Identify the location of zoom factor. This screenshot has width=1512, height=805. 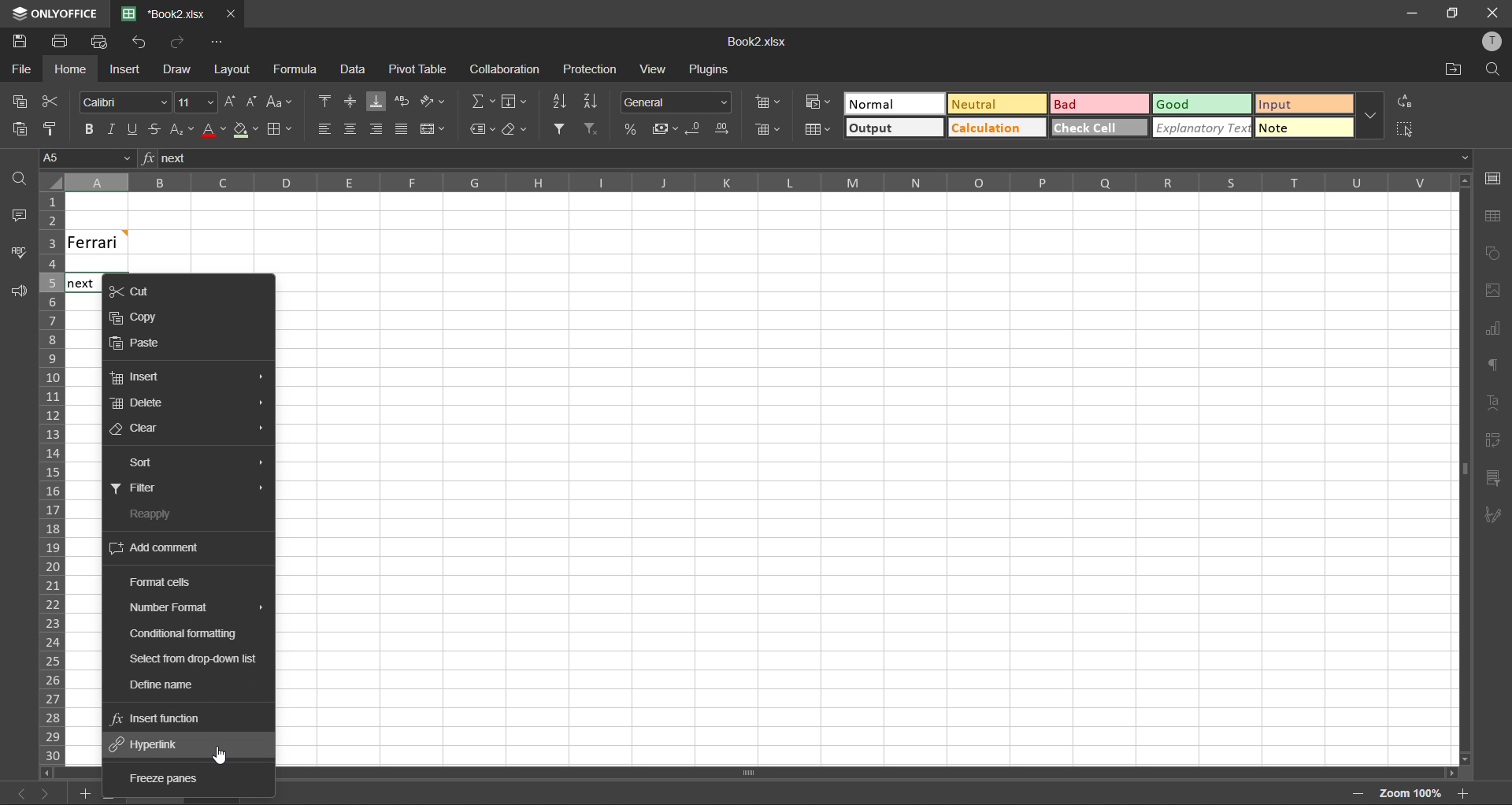
(1409, 792).